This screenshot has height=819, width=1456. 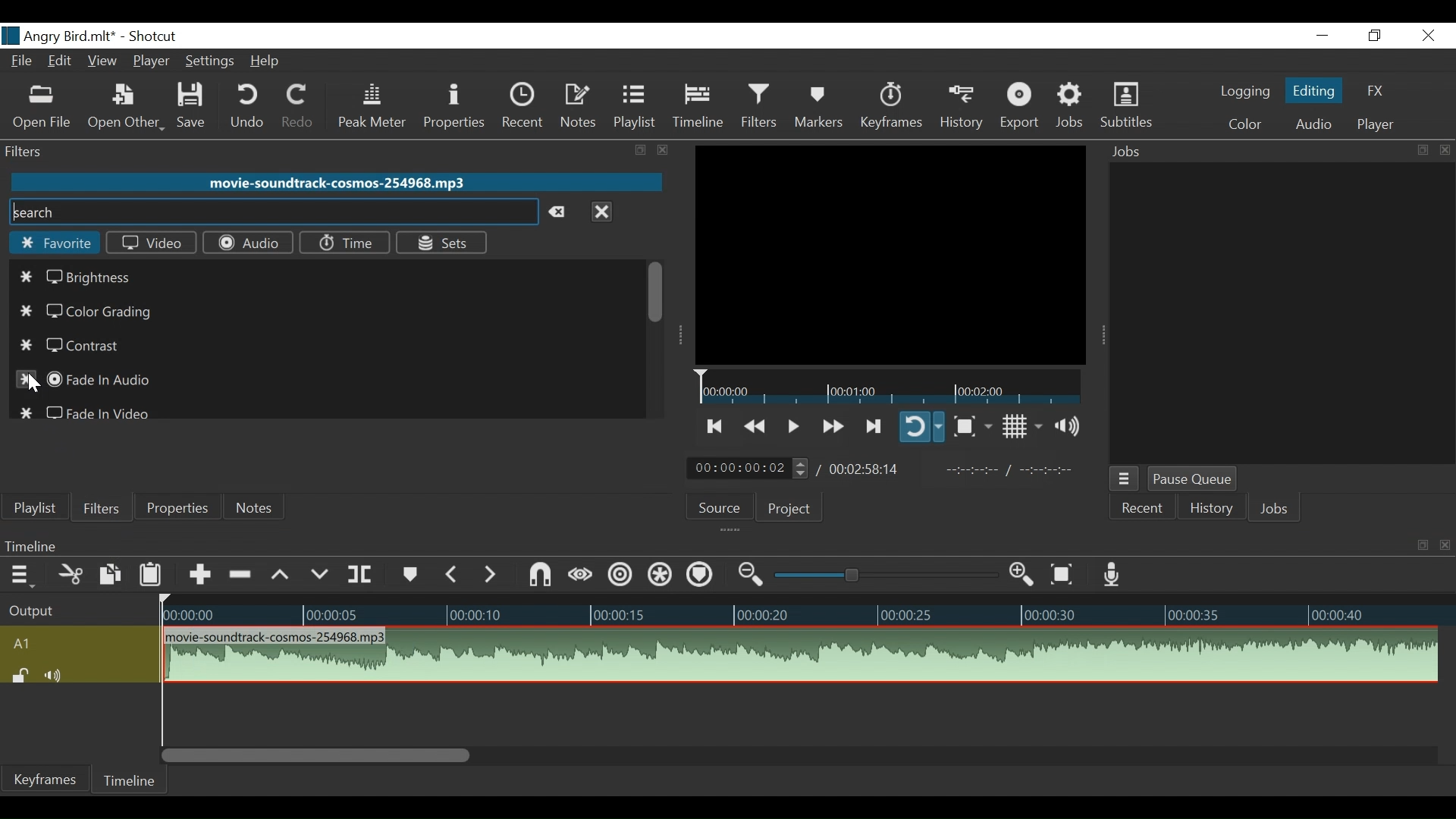 What do you see at coordinates (1064, 574) in the screenshot?
I see `Zoom to fit` at bounding box center [1064, 574].